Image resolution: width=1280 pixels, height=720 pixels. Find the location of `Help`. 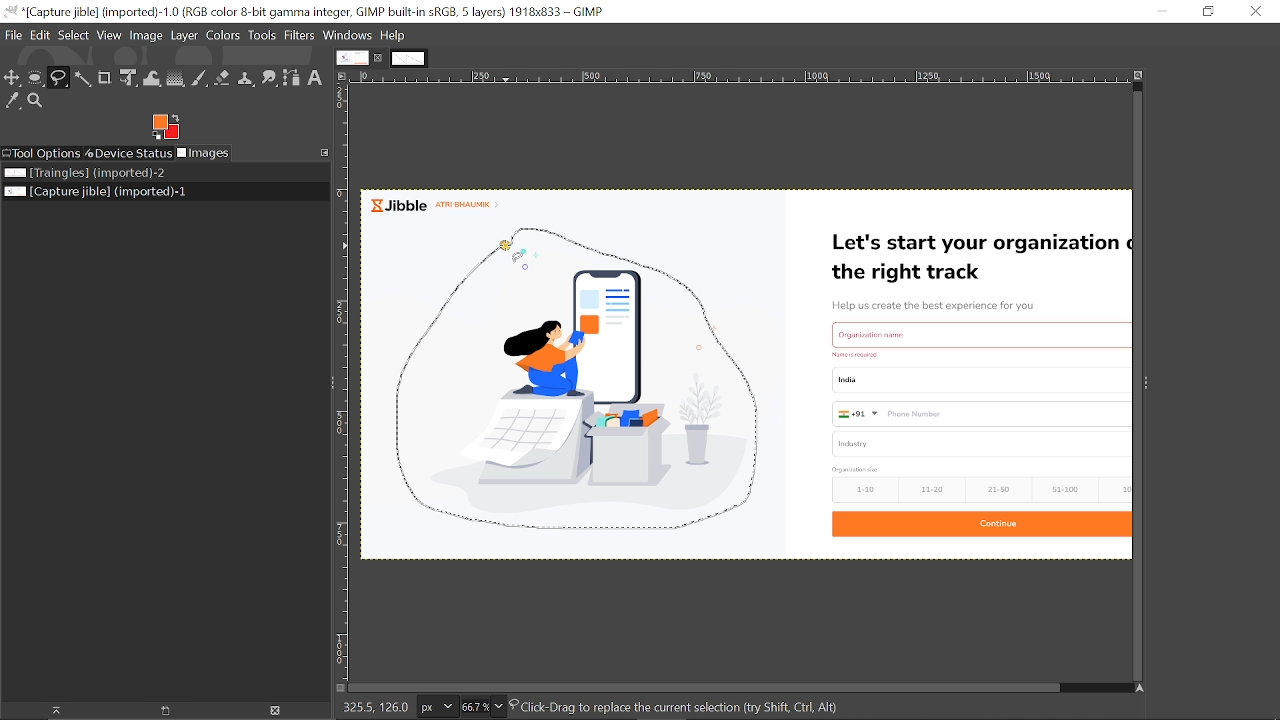

Help is located at coordinates (393, 36).